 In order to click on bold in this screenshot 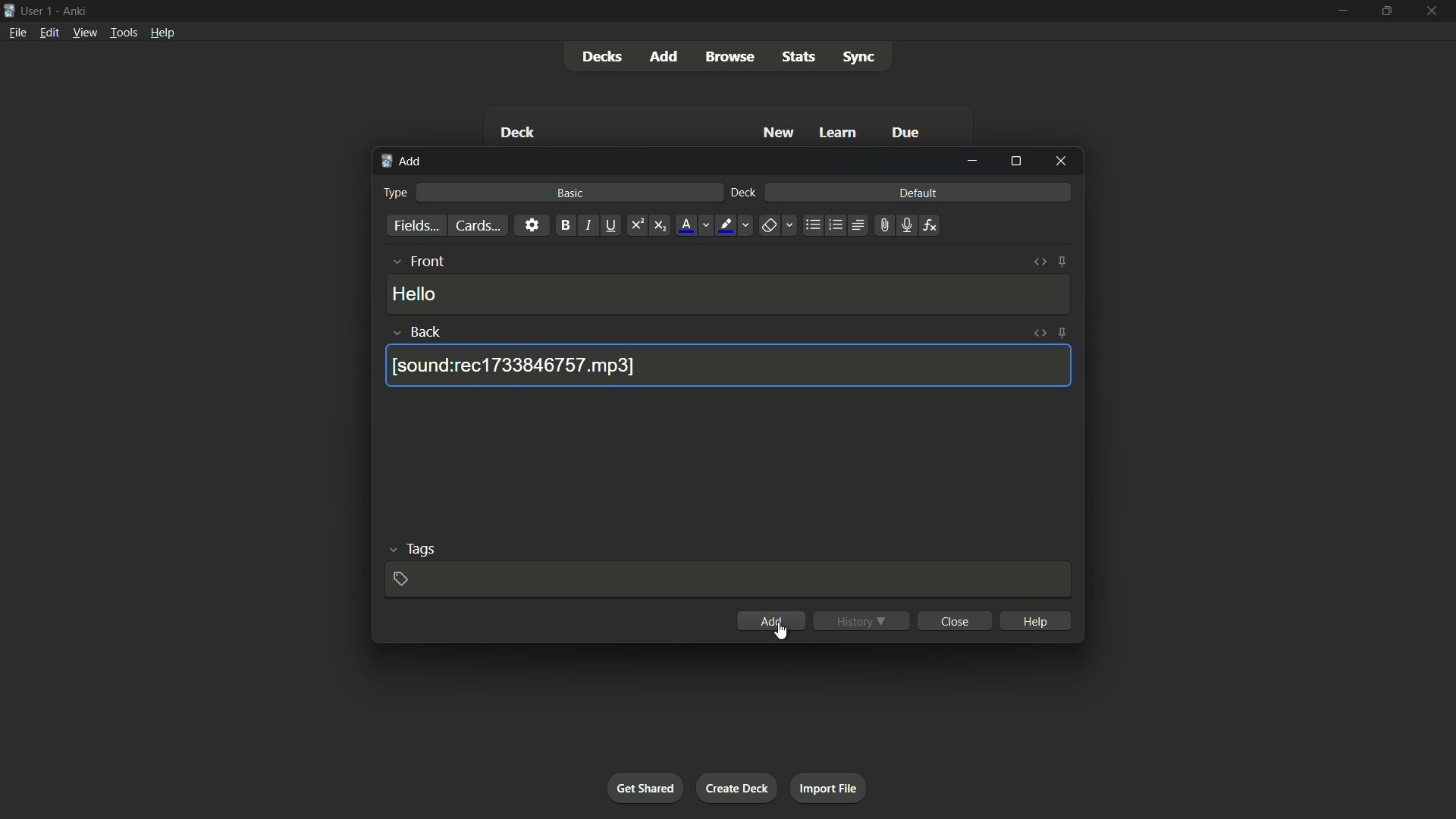, I will do `click(564, 224)`.